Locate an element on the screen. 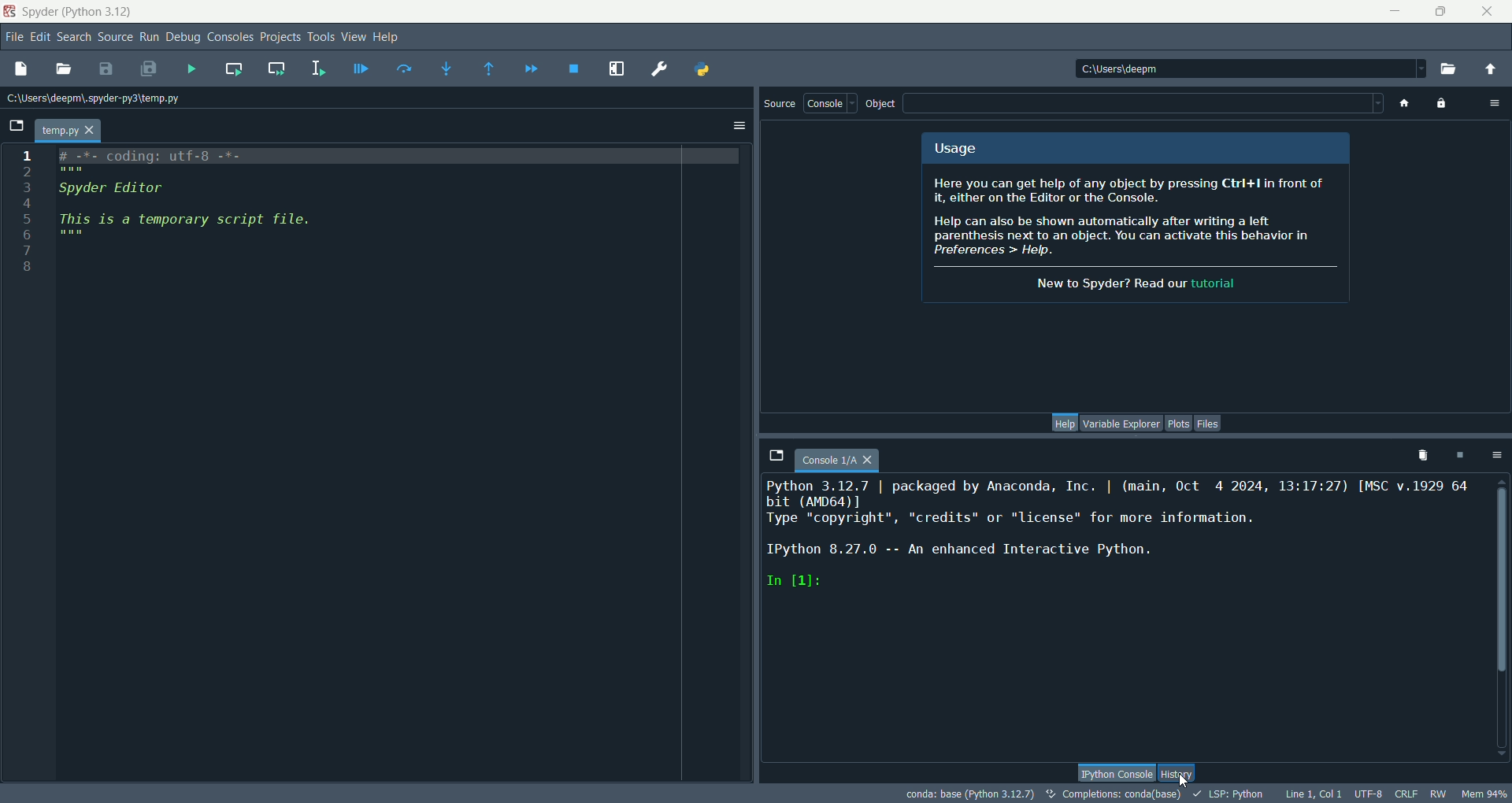 The image size is (1512, 803). run files is located at coordinates (193, 69).